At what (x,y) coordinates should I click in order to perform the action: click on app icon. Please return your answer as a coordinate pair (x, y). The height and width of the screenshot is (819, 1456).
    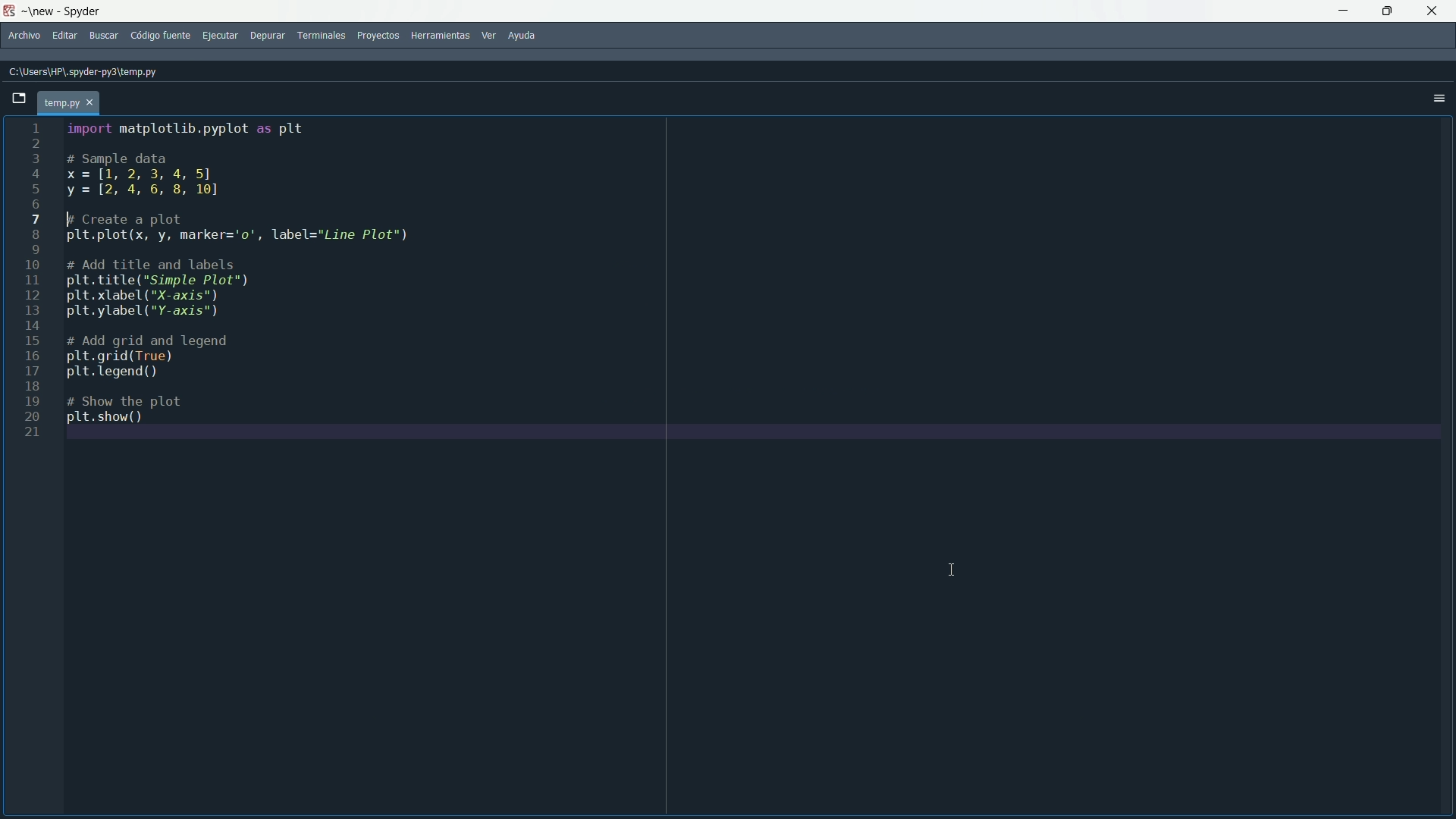
    Looking at the image, I should click on (11, 13).